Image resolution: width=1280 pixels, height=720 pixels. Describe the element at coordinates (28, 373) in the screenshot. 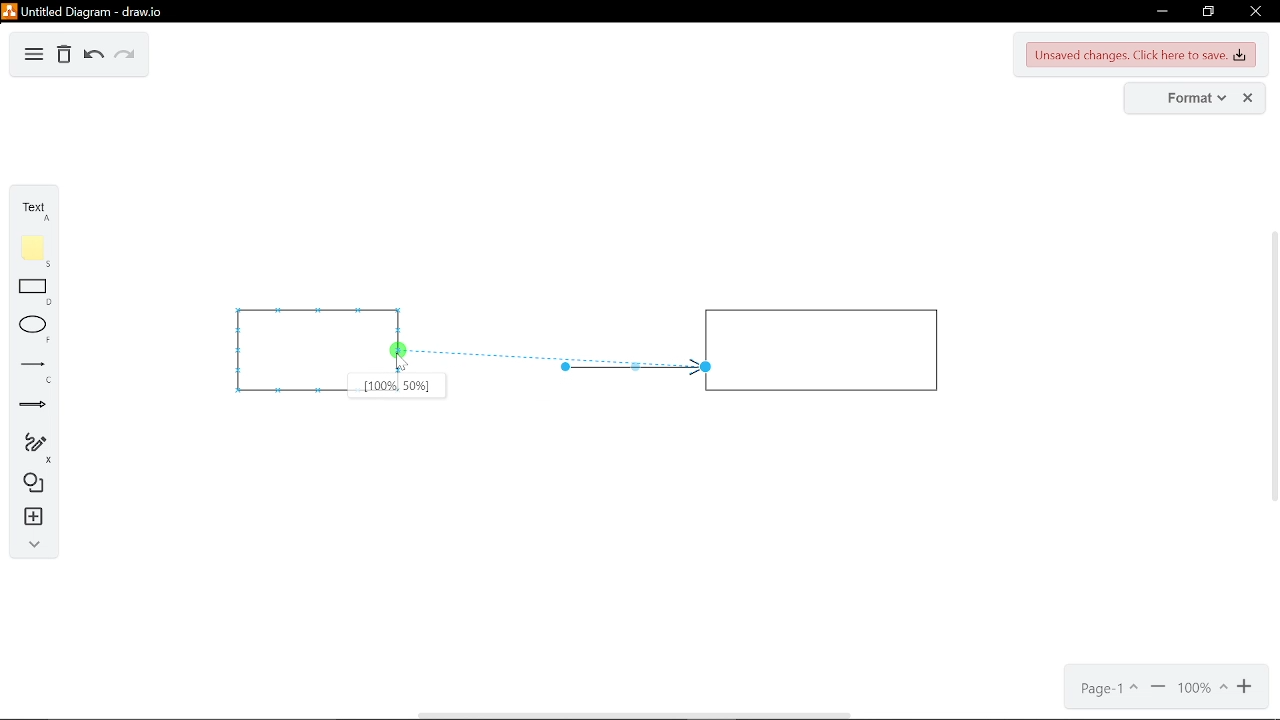

I see `lines` at that location.